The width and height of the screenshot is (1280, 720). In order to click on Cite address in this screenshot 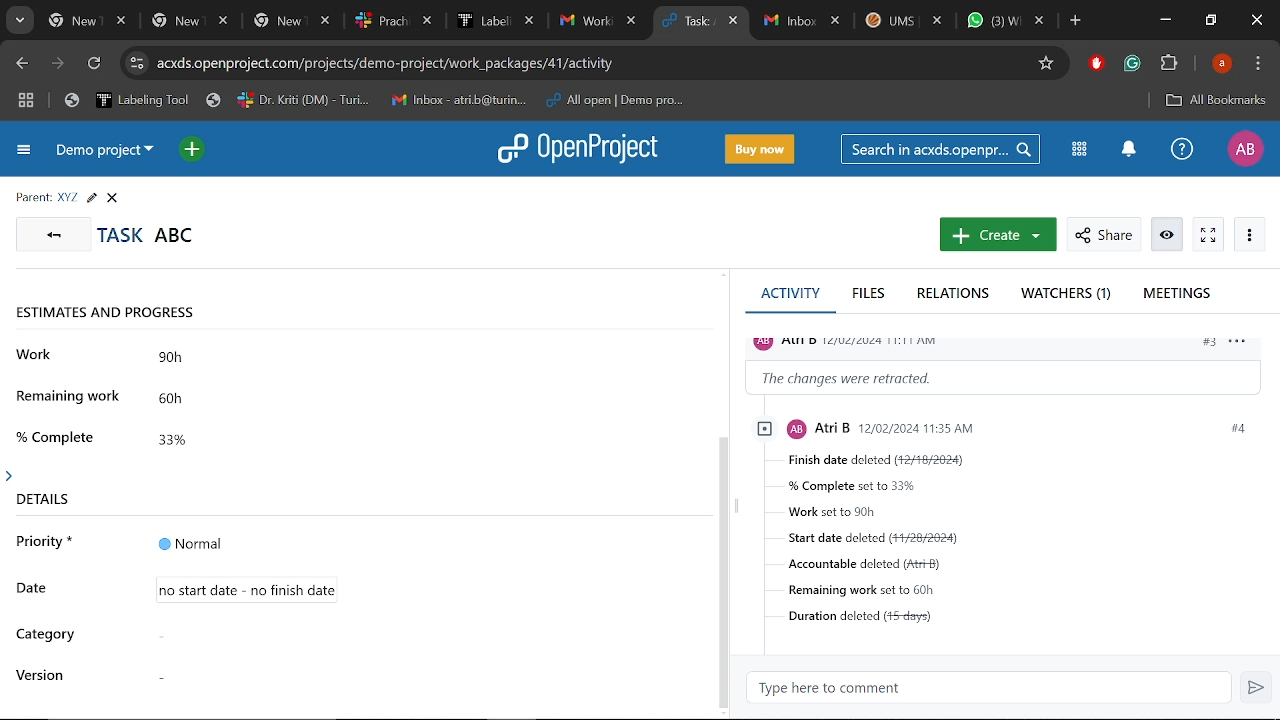, I will do `click(398, 64)`.